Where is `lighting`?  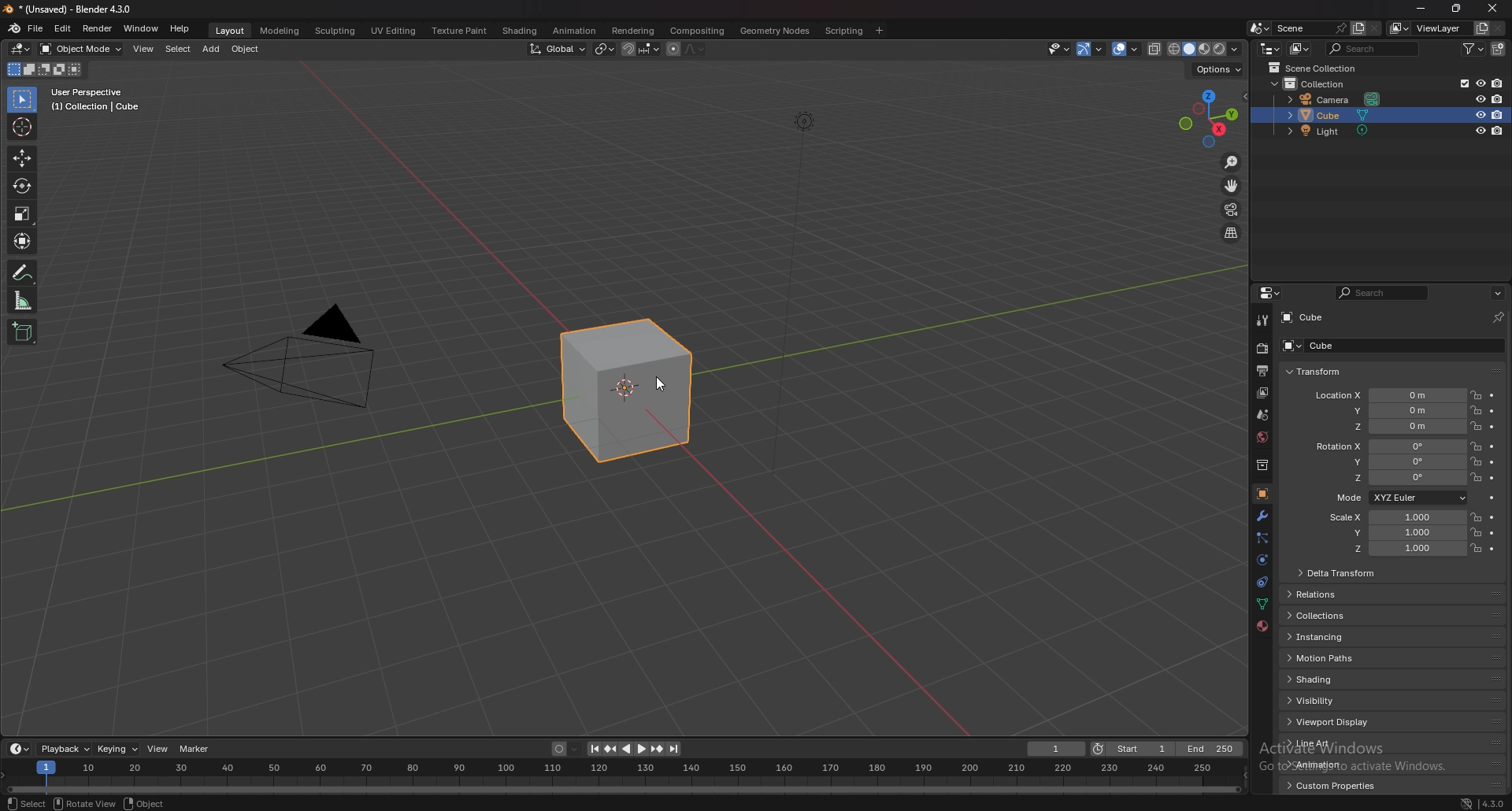
lighting is located at coordinates (809, 124).